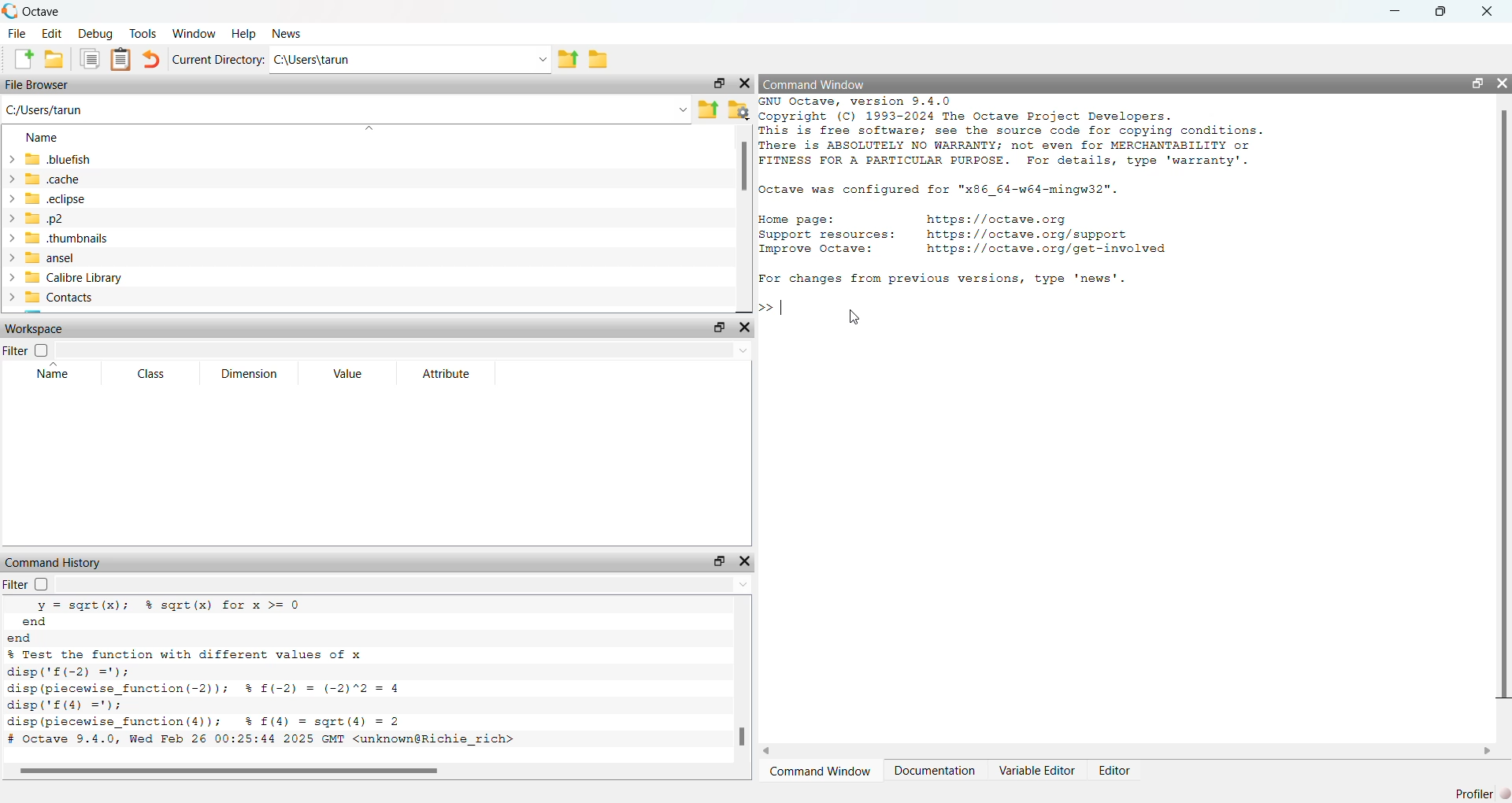 The image size is (1512, 803). Describe the element at coordinates (17, 32) in the screenshot. I see `File` at that location.